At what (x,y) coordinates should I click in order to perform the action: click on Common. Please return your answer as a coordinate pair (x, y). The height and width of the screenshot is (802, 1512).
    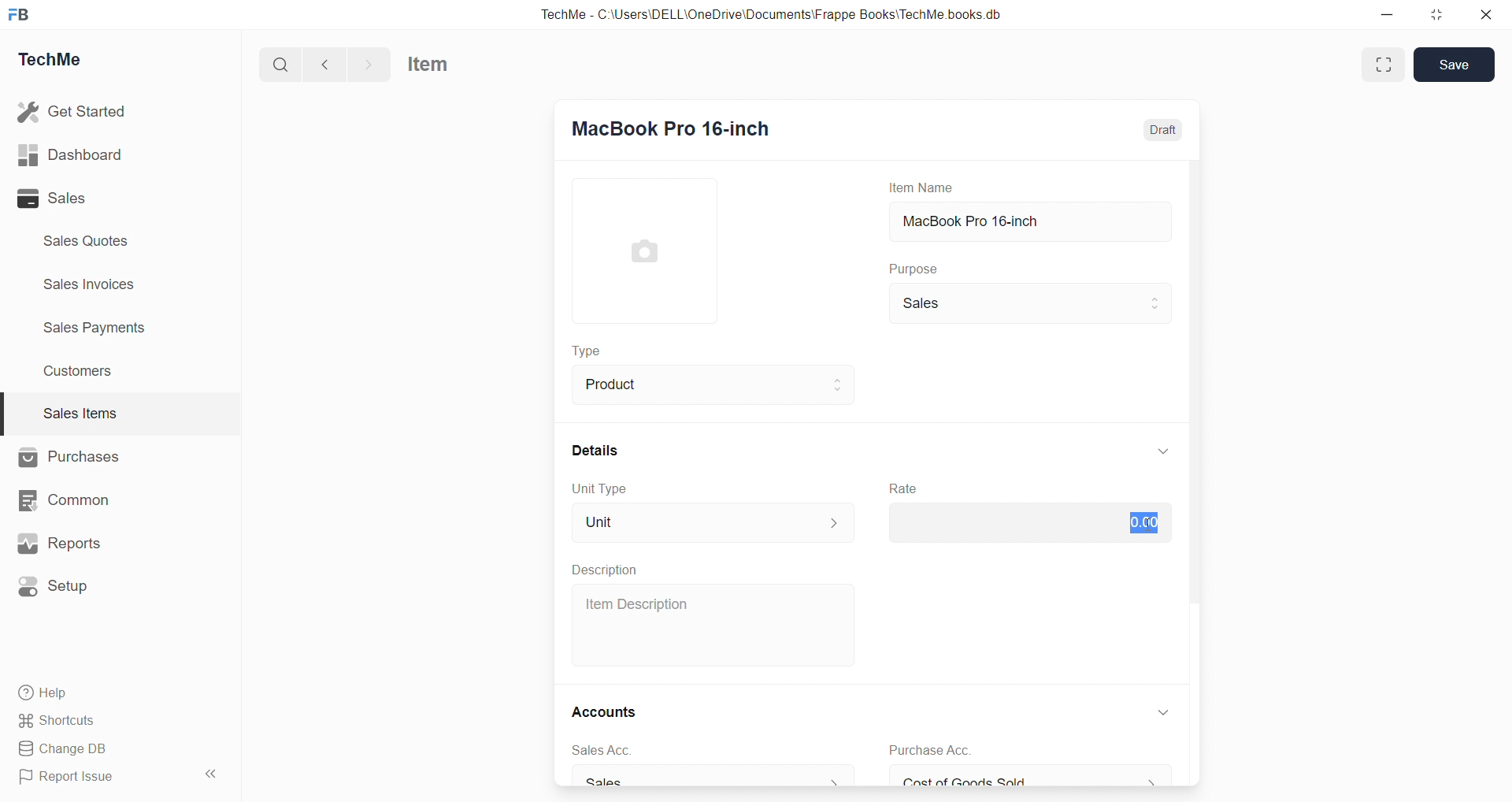
    Looking at the image, I should click on (68, 500).